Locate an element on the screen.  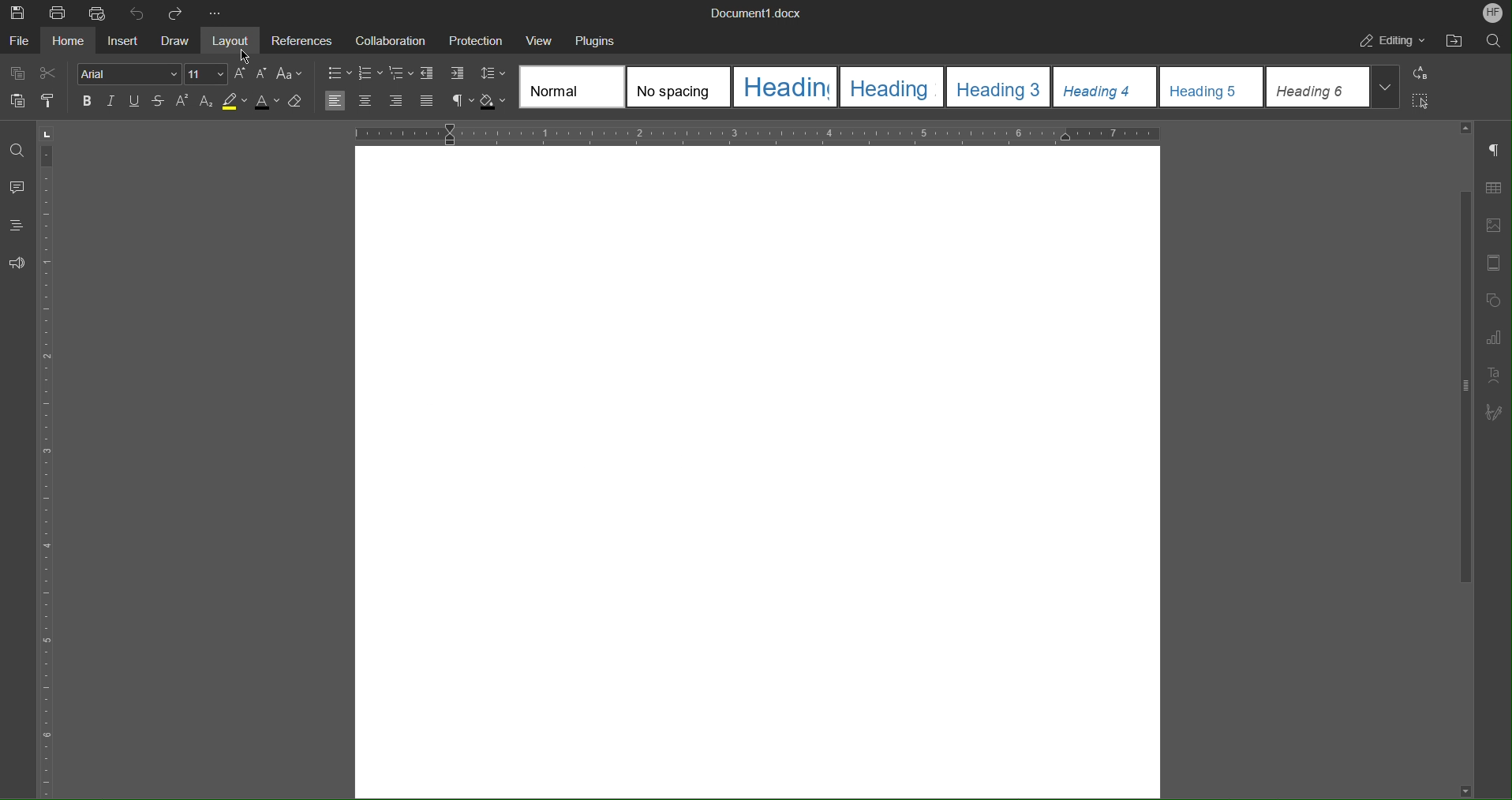
Increase Indent is located at coordinates (455, 75).